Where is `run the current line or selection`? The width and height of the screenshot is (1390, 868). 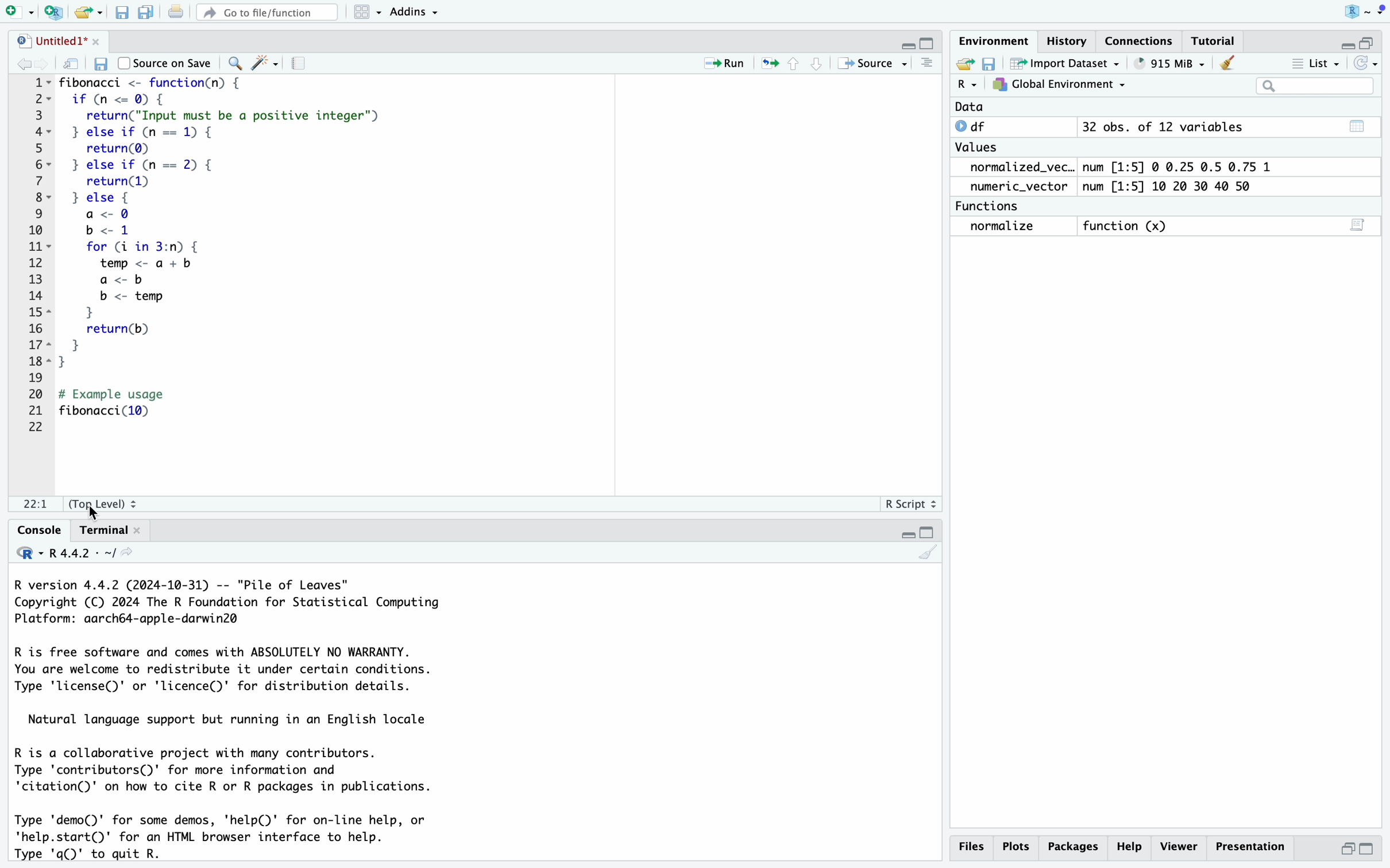
run the current line or selection is located at coordinates (728, 62).